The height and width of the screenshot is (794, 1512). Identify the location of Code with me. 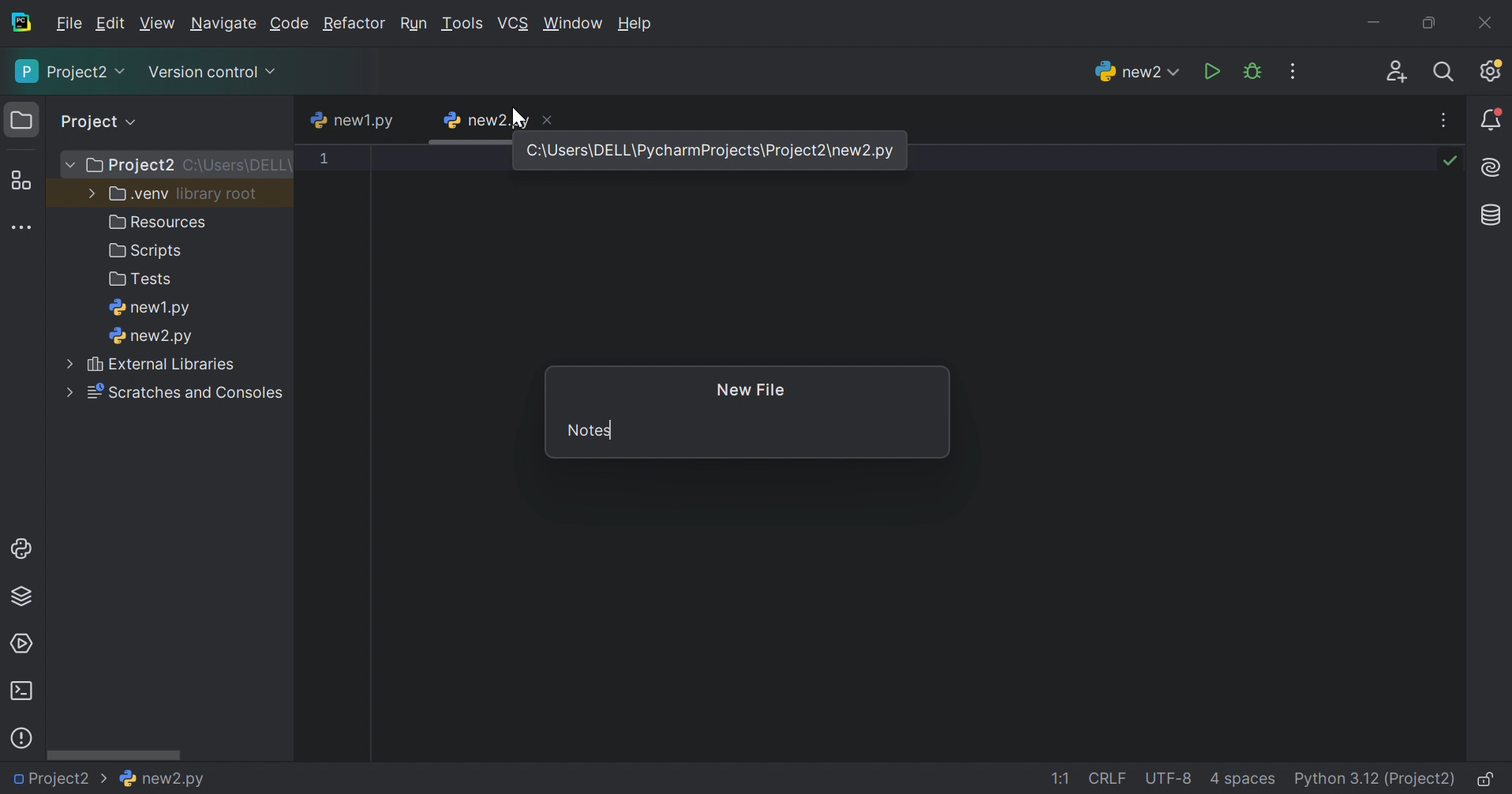
(1398, 72).